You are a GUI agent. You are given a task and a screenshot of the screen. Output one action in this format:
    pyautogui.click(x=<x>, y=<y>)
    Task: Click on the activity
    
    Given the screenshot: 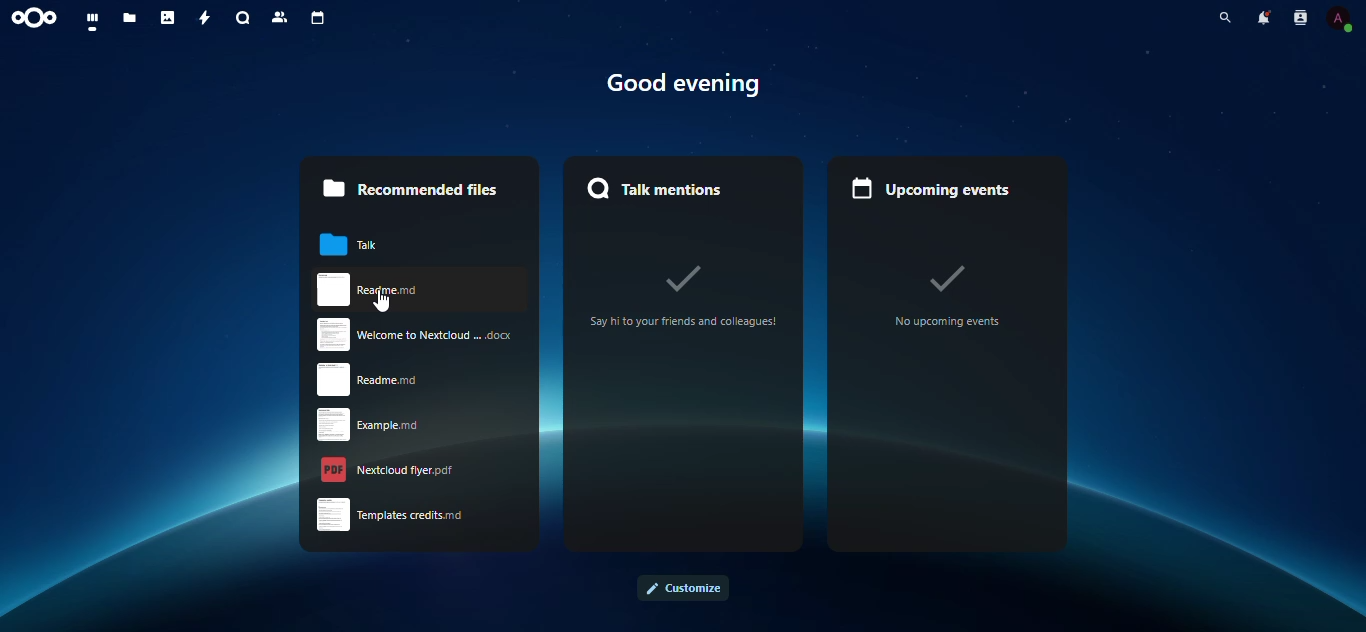 What is the action you would take?
    pyautogui.click(x=202, y=18)
    